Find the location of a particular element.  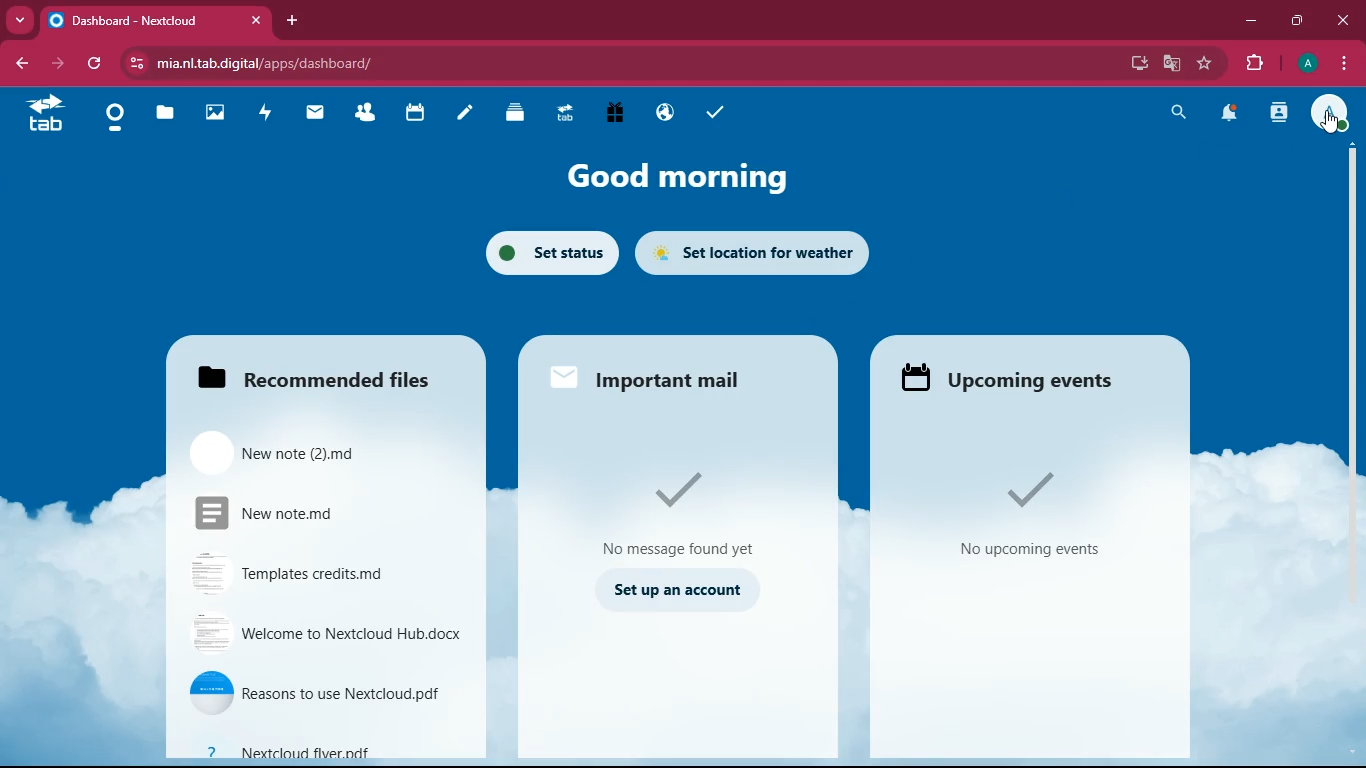

gift is located at coordinates (616, 112).